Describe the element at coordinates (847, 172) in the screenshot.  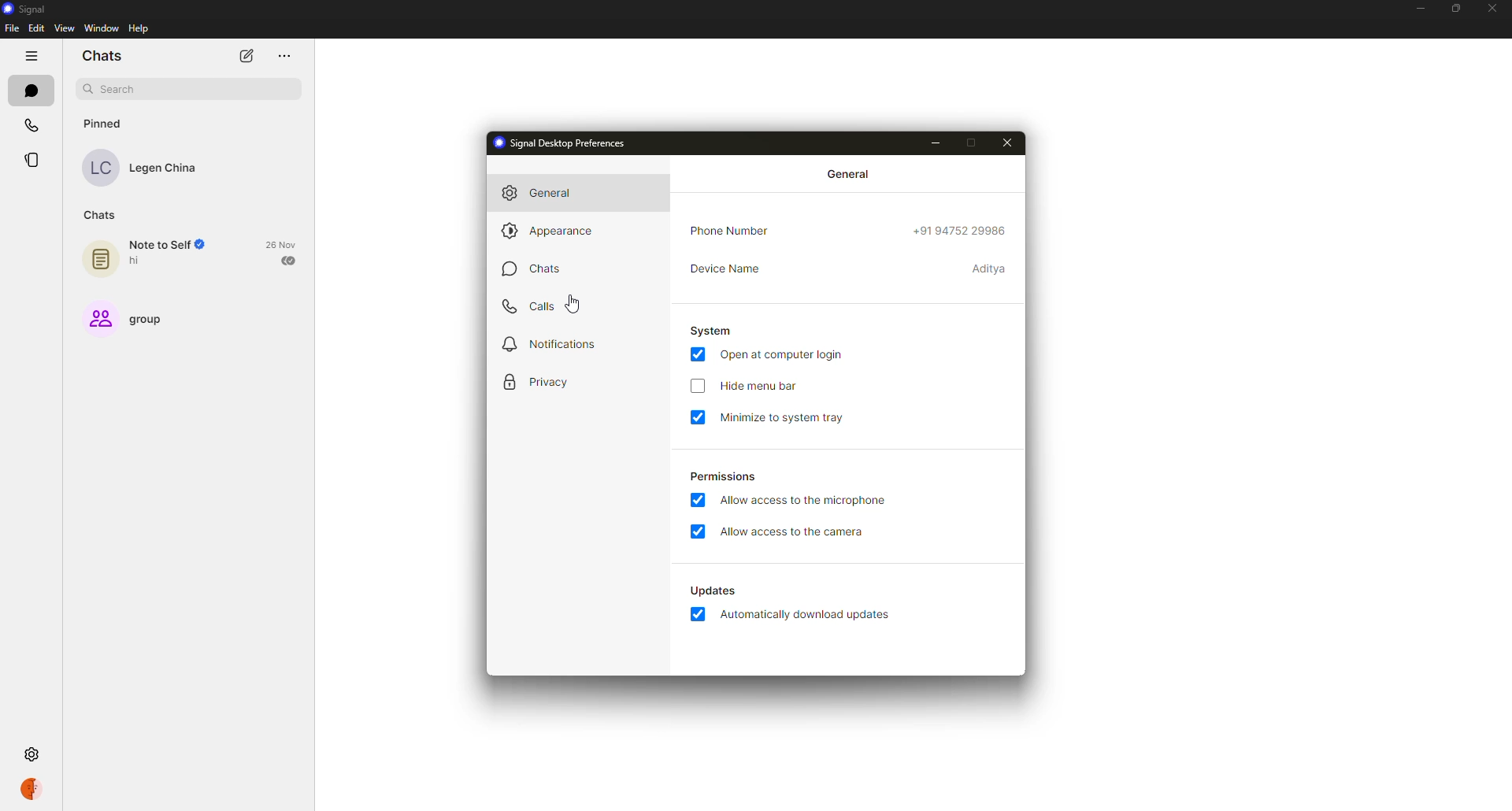
I see `general` at that location.